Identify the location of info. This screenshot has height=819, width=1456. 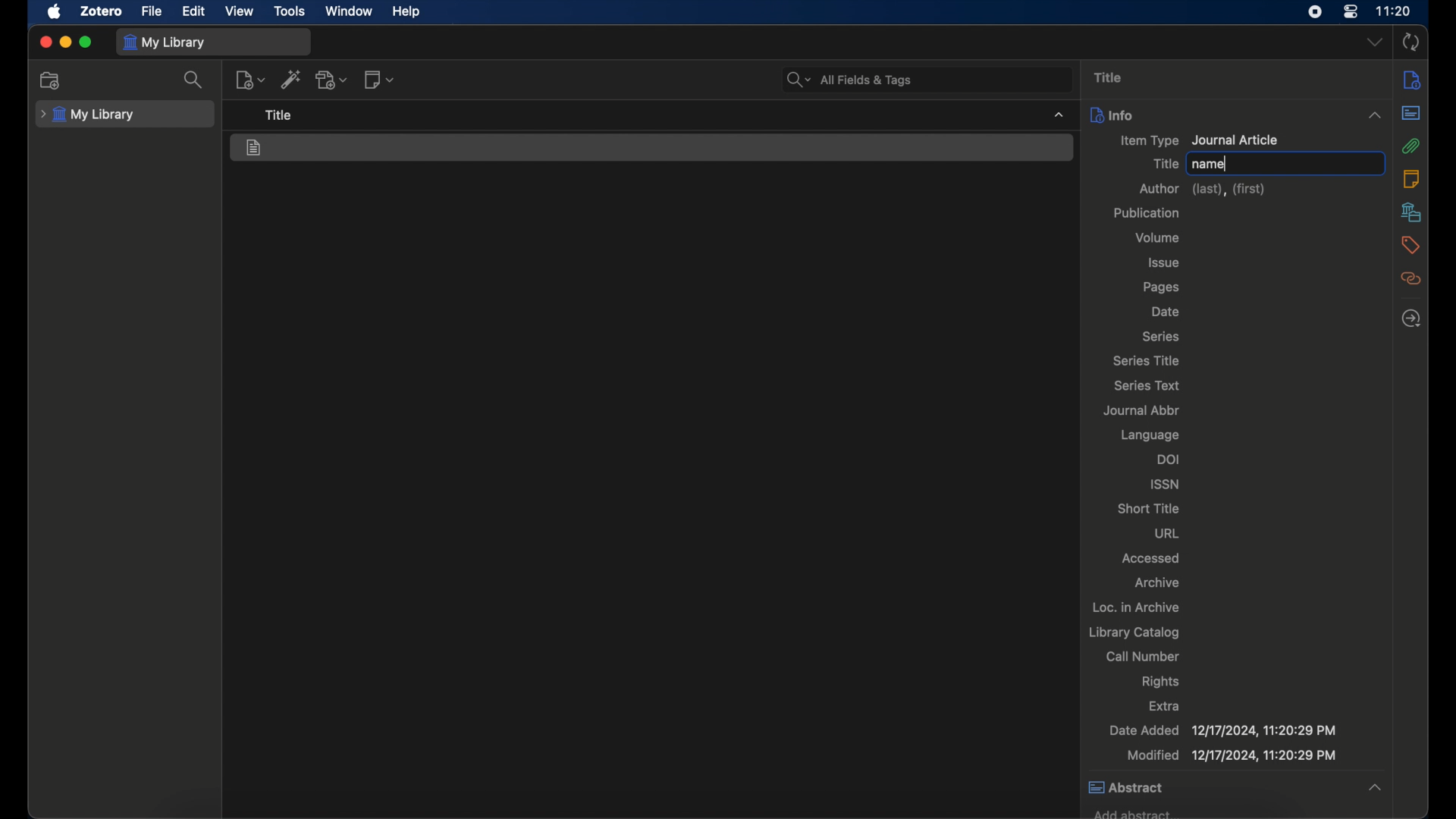
(1236, 114).